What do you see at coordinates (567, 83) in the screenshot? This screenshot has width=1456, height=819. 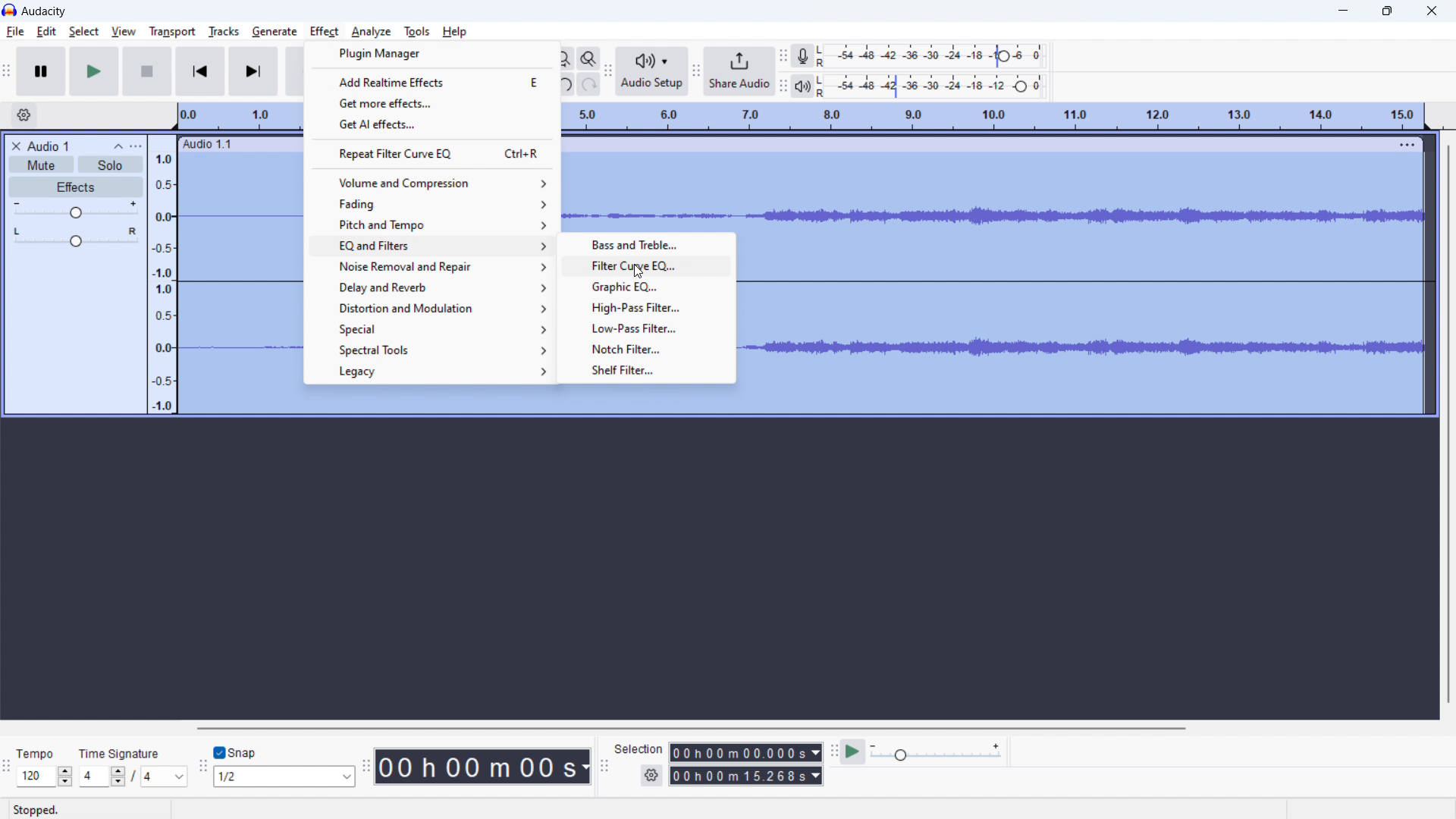 I see `undo` at bounding box center [567, 83].